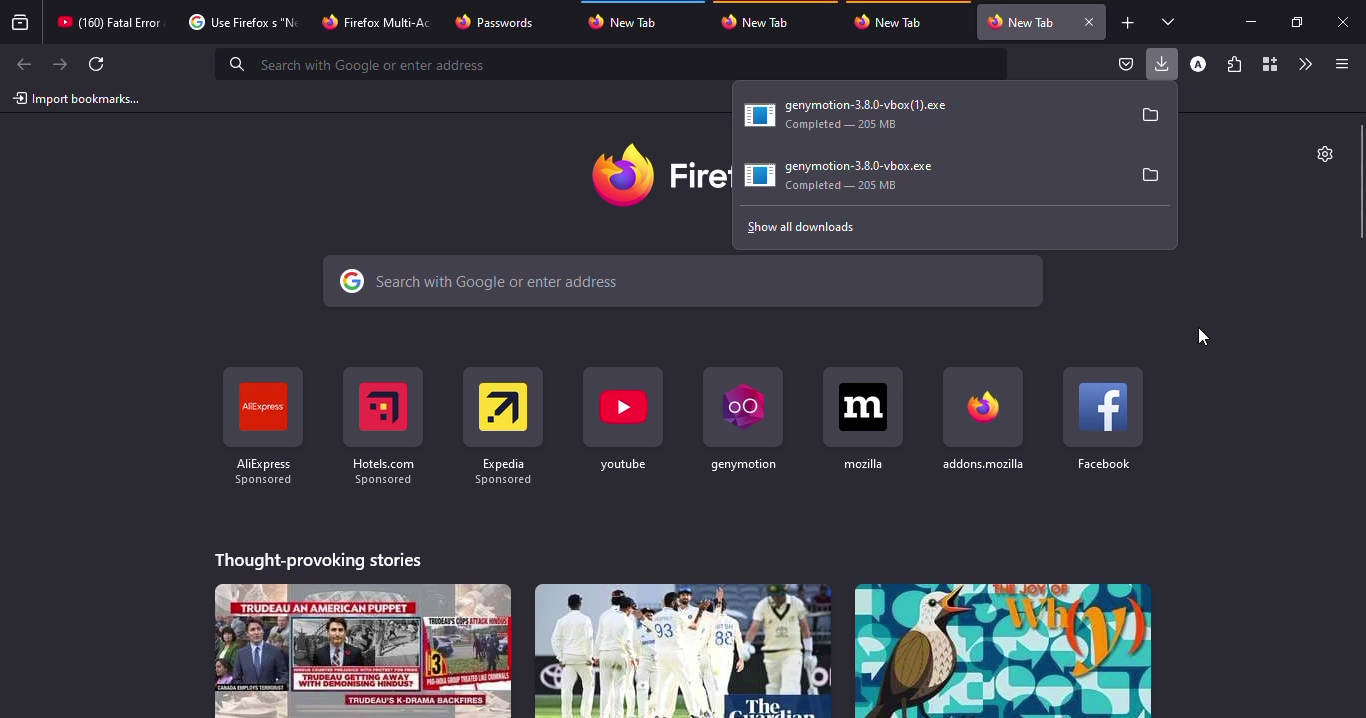 The height and width of the screenshot is (718, 1366). Describe the element at coordinates (78, 98) in the screenshot. I see `import bookmarks` at that location.